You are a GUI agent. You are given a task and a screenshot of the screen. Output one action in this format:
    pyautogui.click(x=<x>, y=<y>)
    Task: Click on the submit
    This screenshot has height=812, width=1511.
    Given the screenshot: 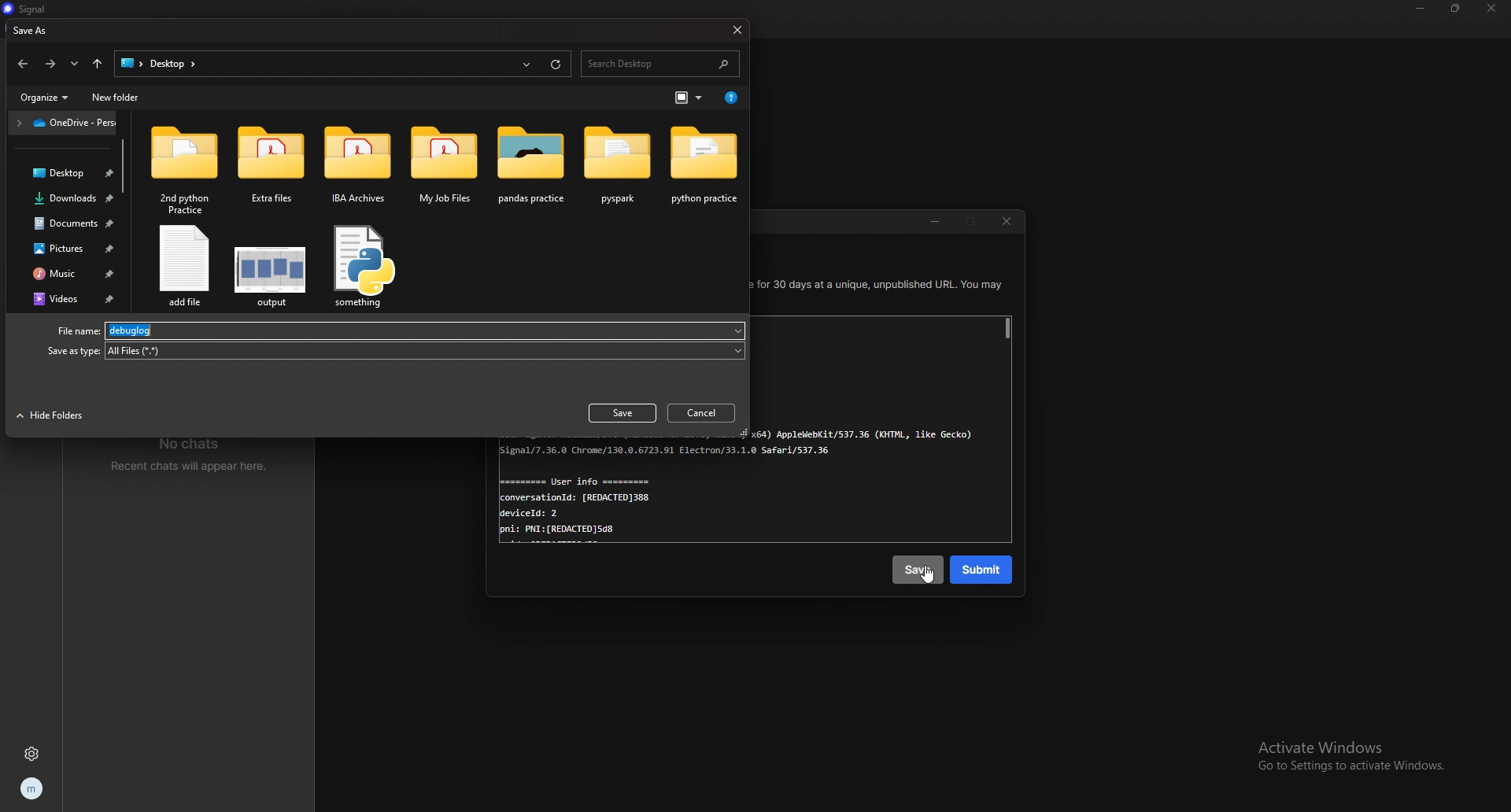 What is the action you would take?
    pyautogui.click(x=983, y=570)
    